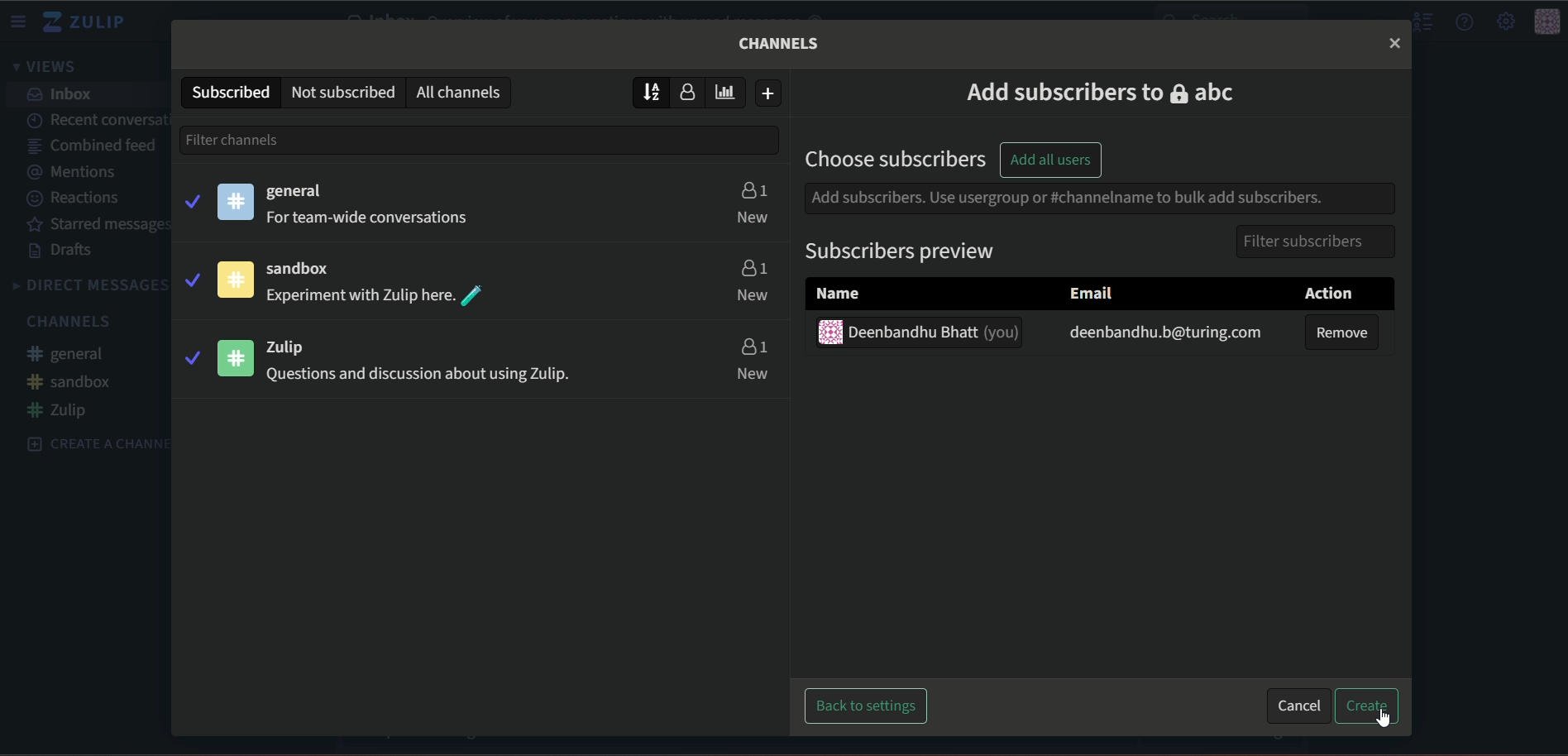 Image resolution: width=1568 pixels, height=756 pixels. What do you see at coordinates (730, 92) in the screenshot?
I see `poll` at bounding box center [730, 92].